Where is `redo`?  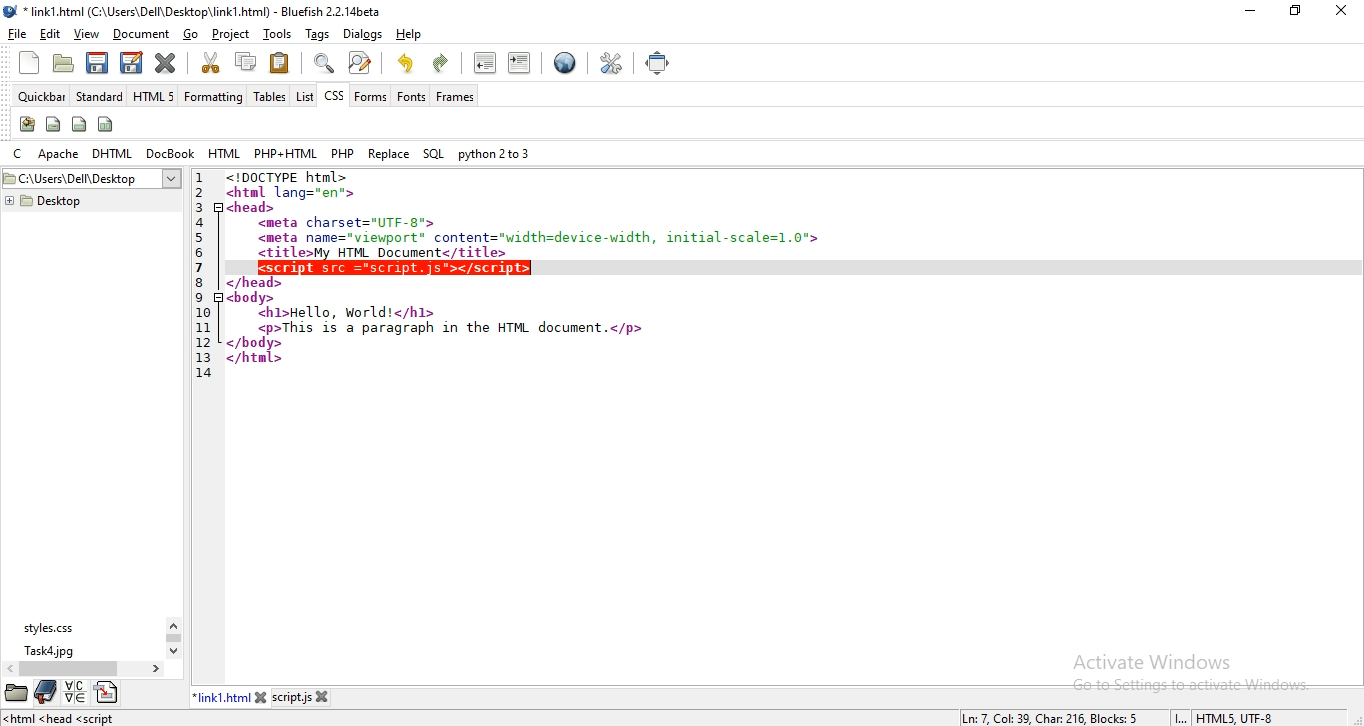
redo is located at coordinates (441, 64).